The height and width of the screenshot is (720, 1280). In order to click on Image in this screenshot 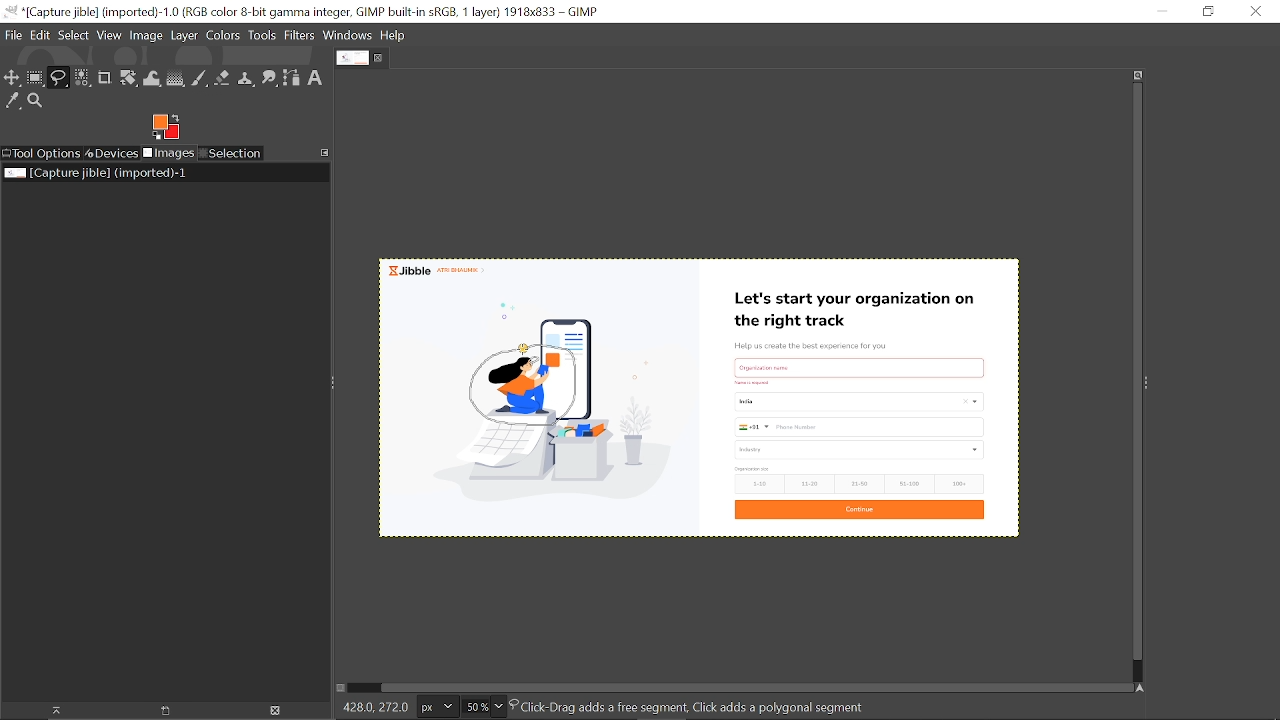, I will do `click(146, 34)`.